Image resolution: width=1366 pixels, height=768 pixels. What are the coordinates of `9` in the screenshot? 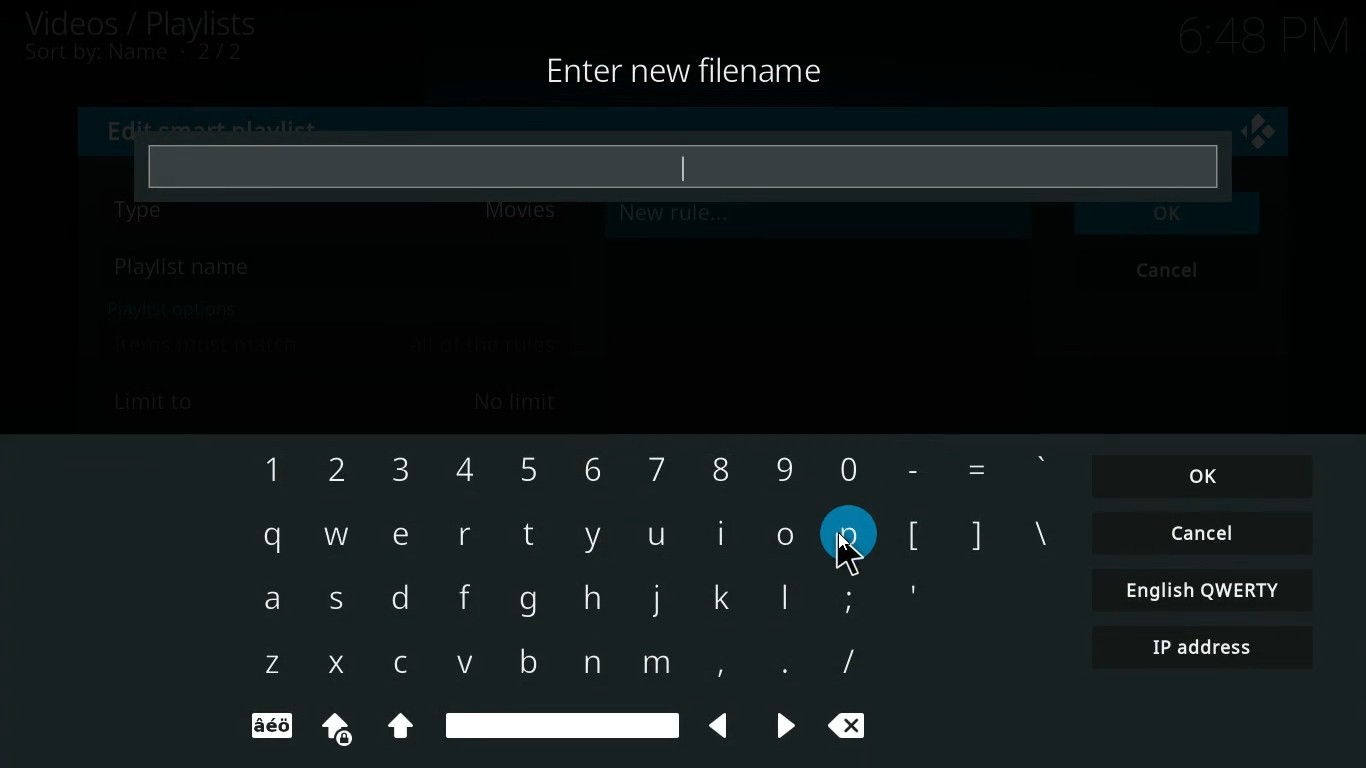 It's located at (784, 465).